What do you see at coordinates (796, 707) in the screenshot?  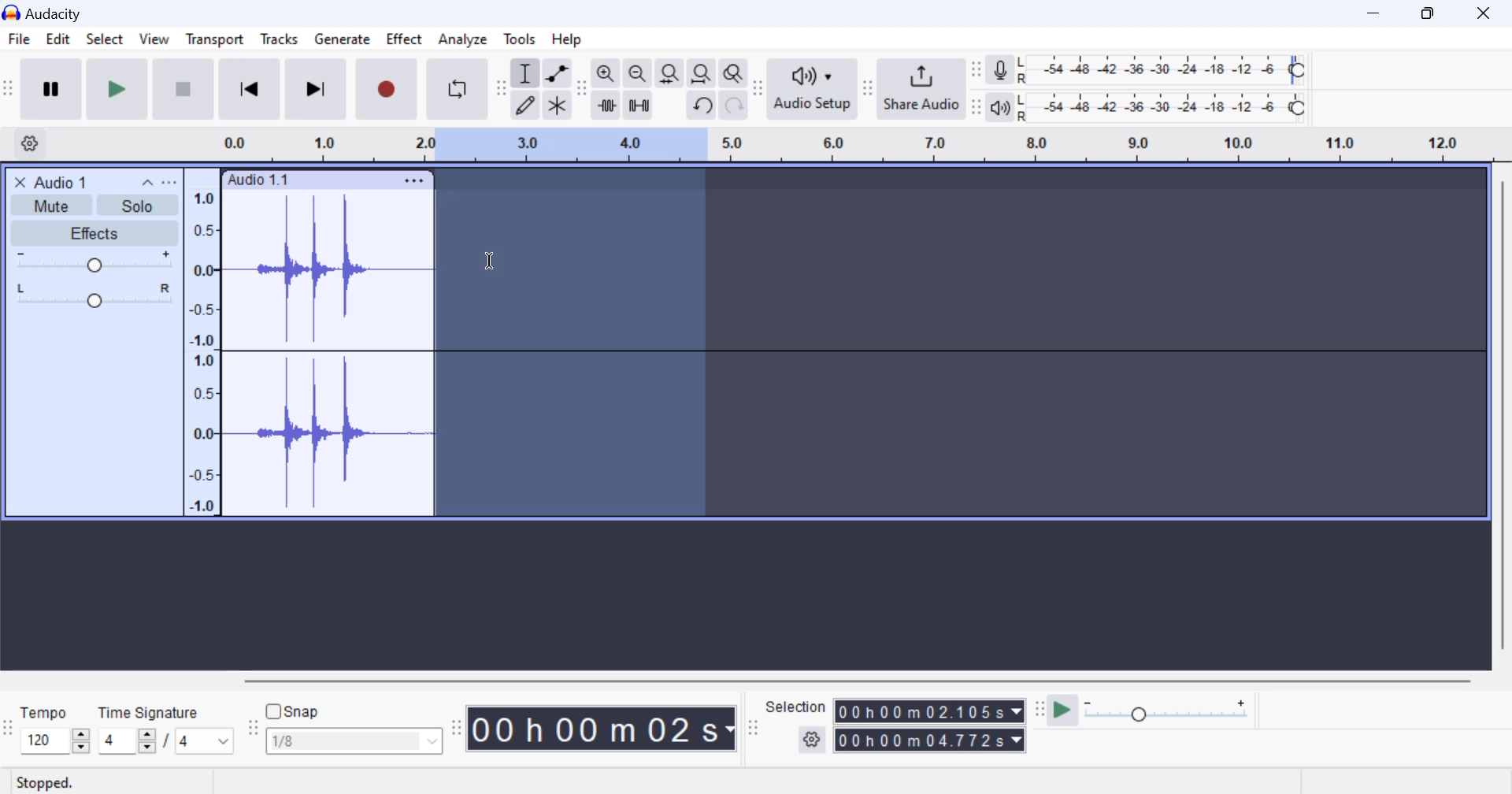 I see `Selection` at bounding box center [796, 707].